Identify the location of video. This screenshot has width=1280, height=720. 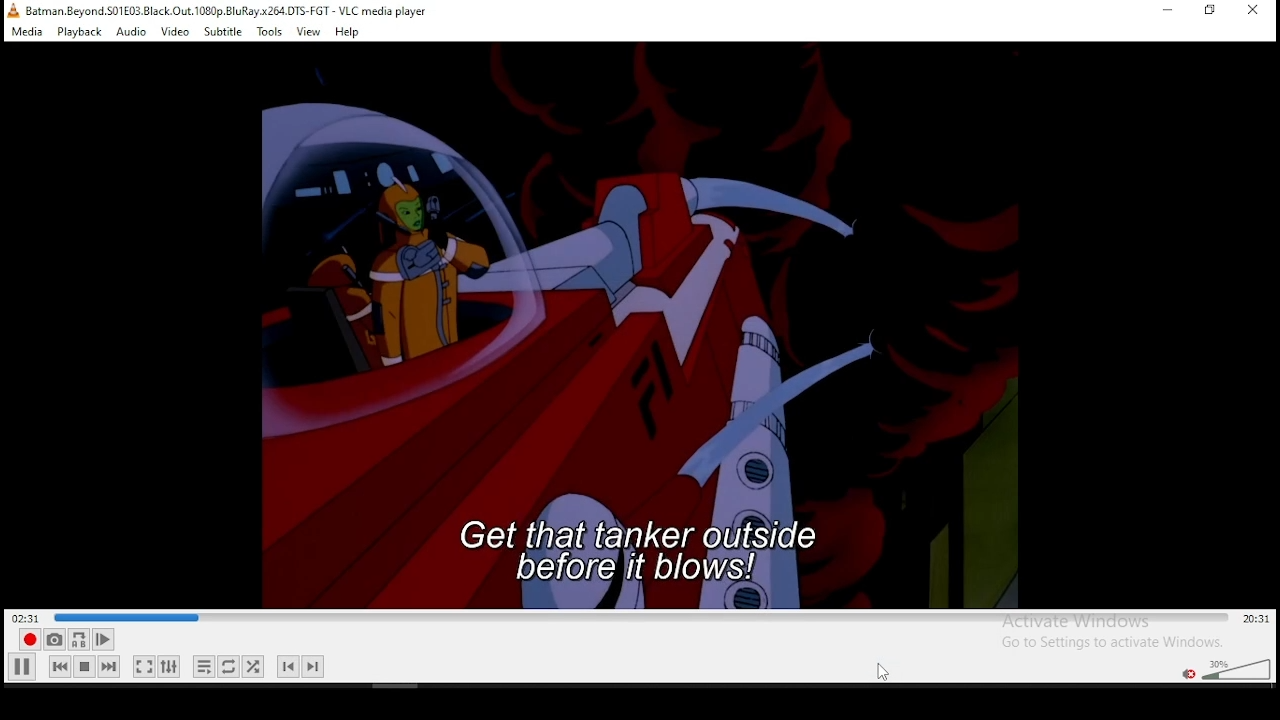
(641, 274).